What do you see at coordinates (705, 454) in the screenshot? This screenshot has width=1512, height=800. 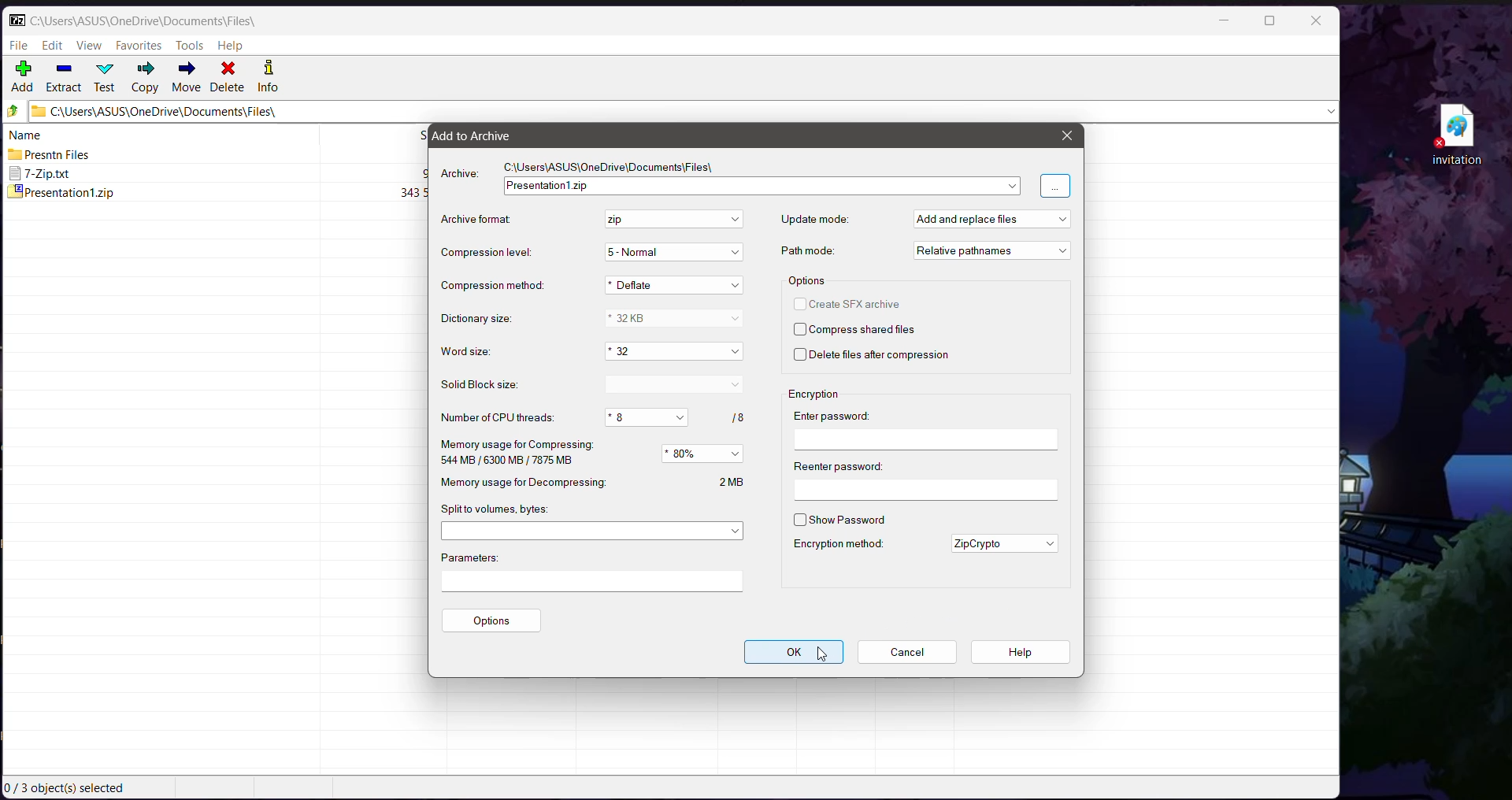 I see `Set the memory usage for Compressing in precentage` at bounding box center [705, 454].